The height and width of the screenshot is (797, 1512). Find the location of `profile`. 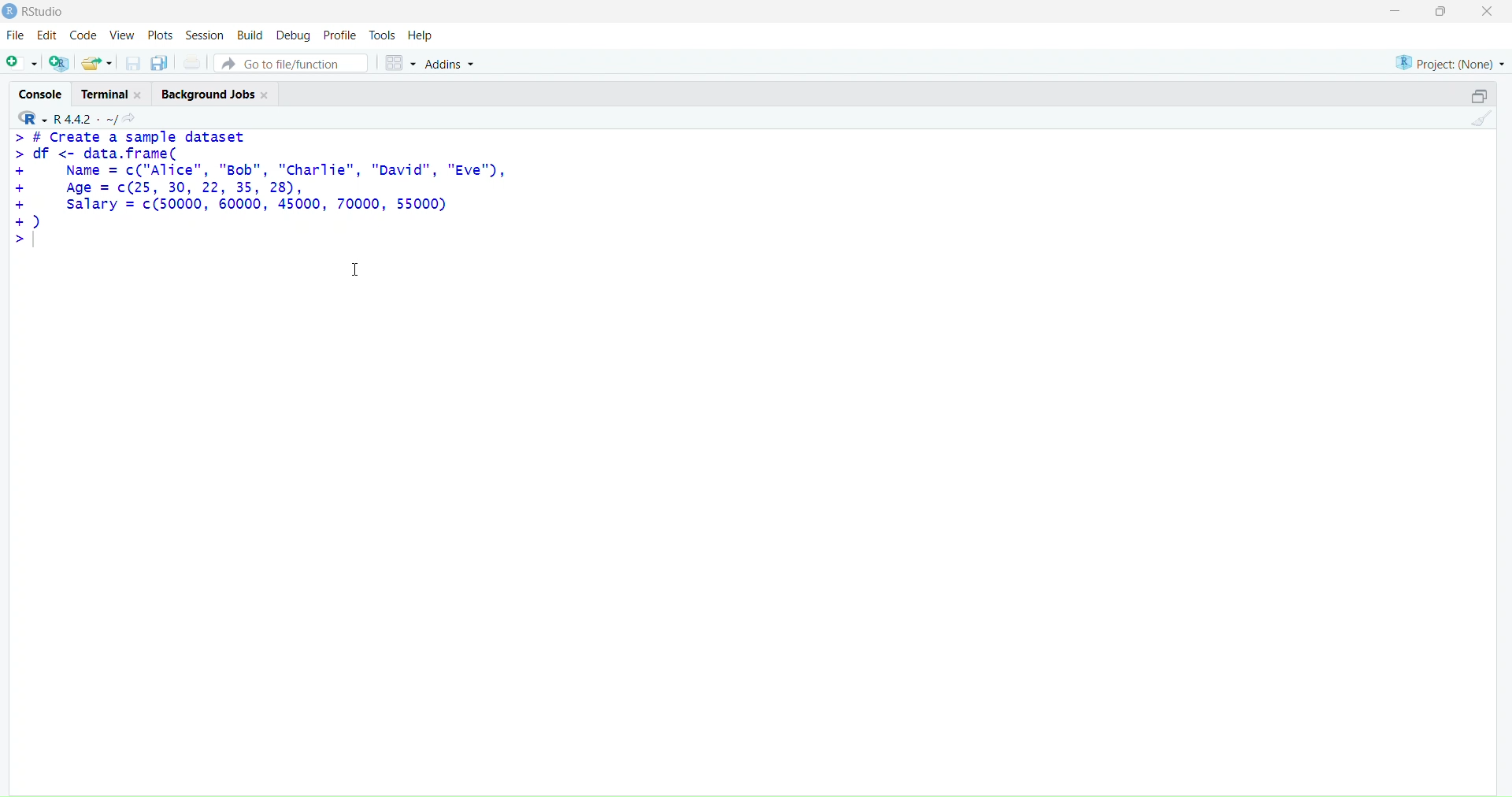

profile is located at coordinates (341, 35).